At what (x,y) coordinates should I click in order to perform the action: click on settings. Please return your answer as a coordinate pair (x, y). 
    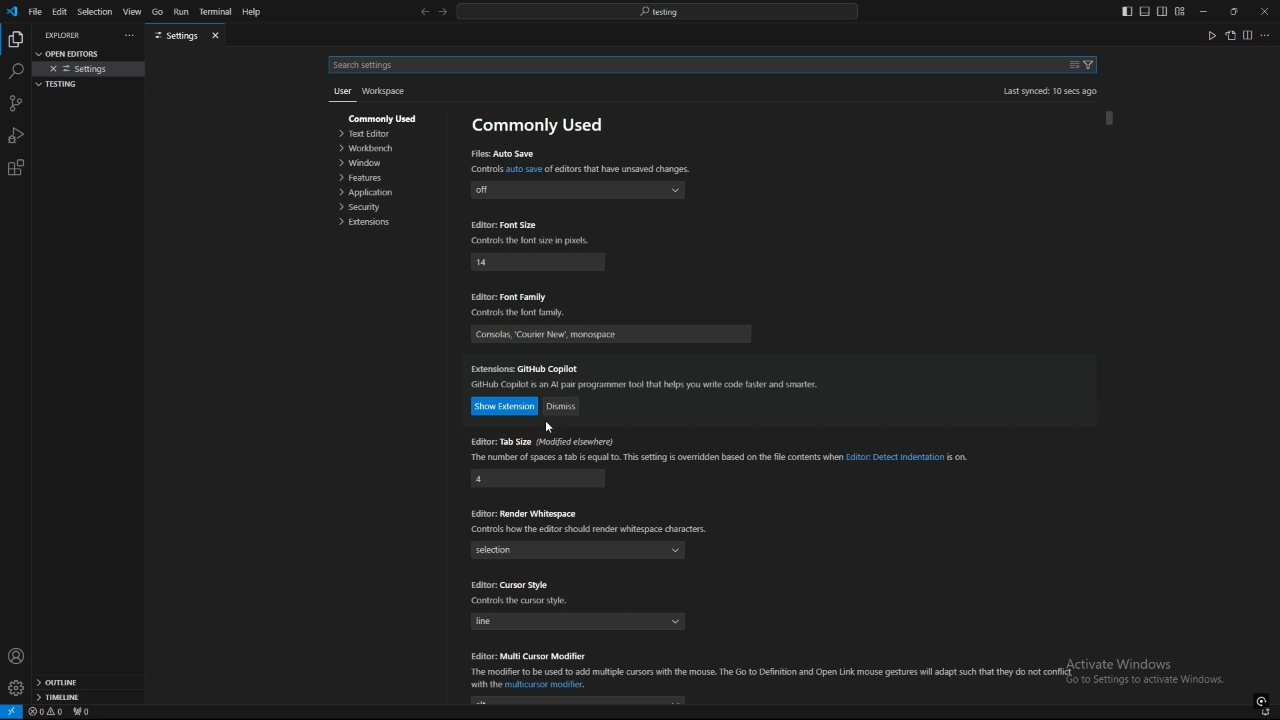
    Looking at the image, I should click on (15, 688).